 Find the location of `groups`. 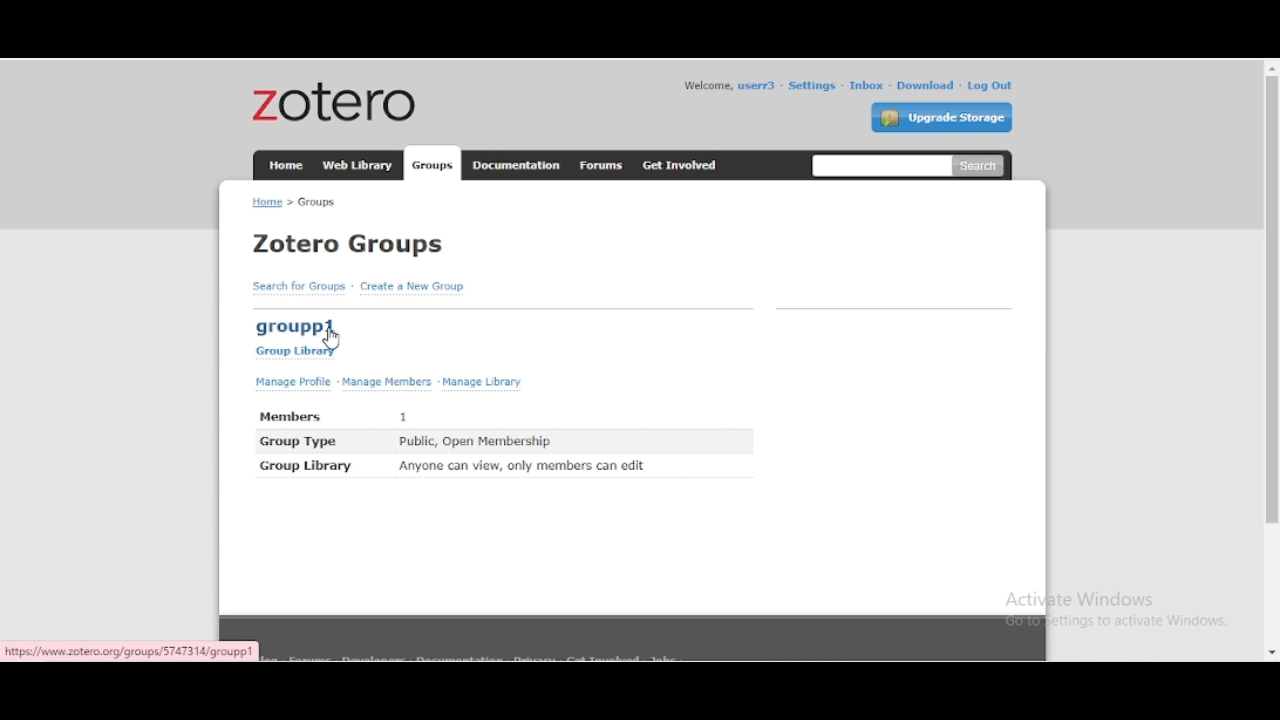

groups is located at coordinates (317, 202).